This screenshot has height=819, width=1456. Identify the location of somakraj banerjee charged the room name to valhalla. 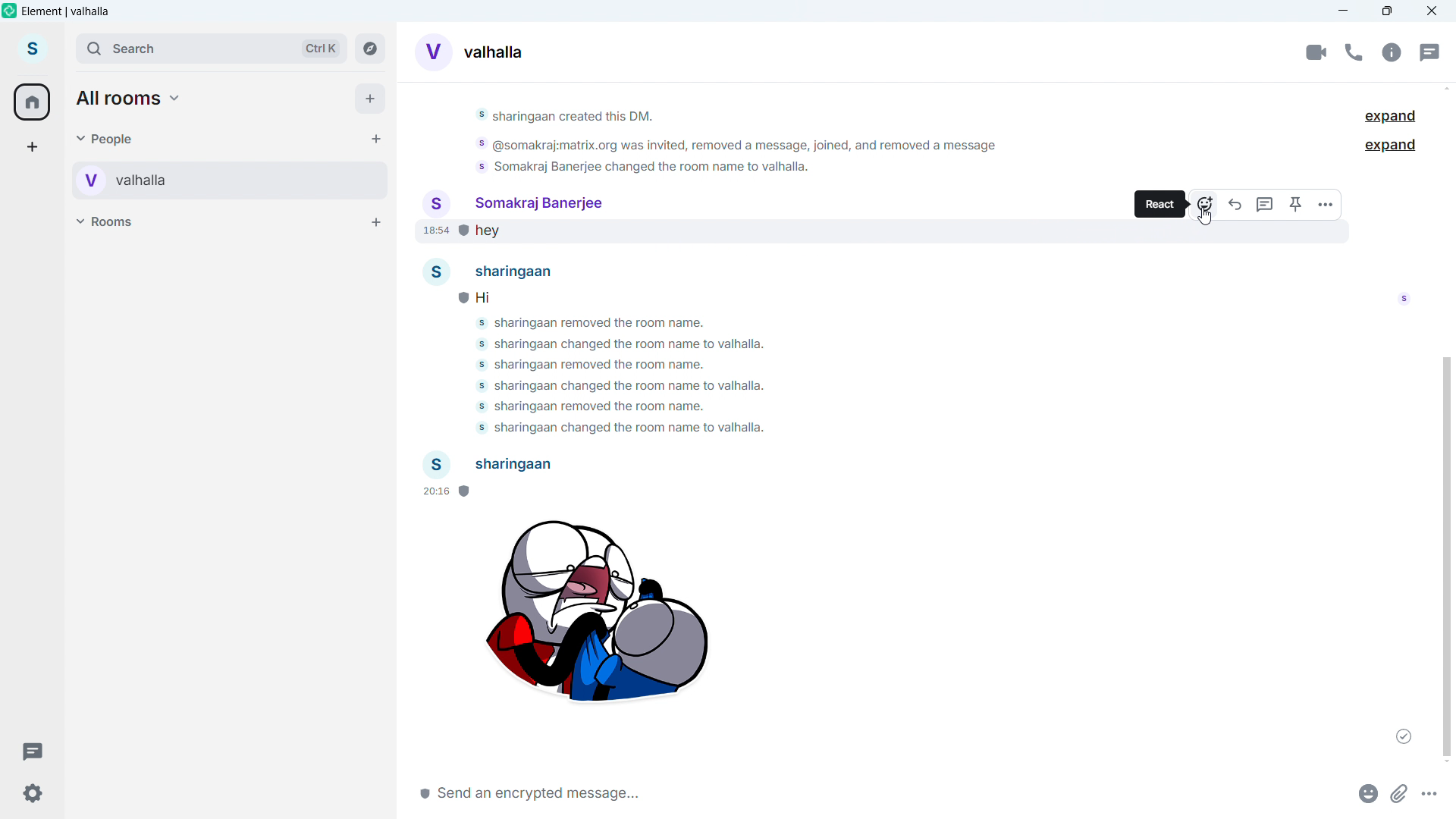
(648, 170).